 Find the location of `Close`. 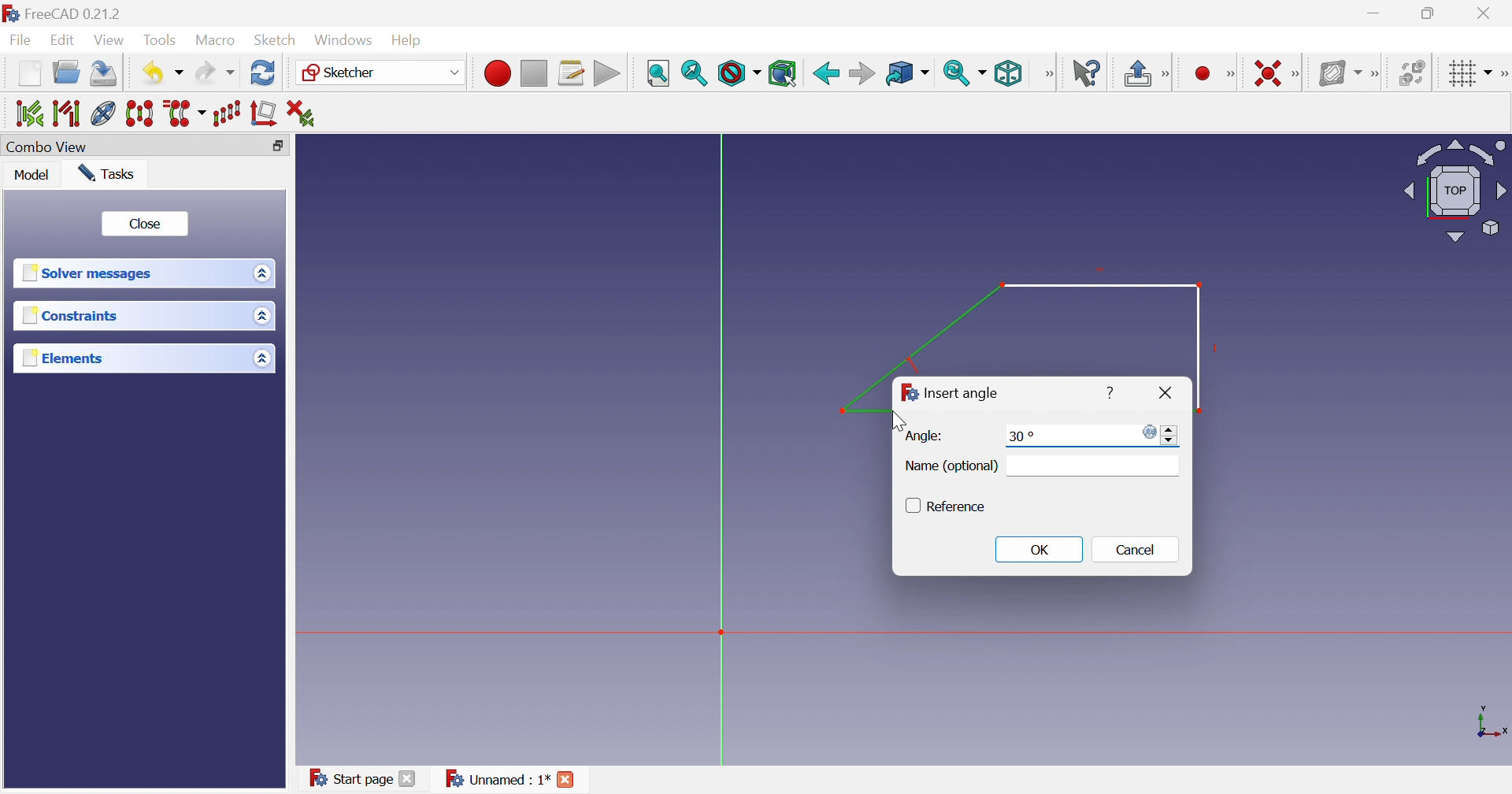

Close is located at coordinates (145, 222).